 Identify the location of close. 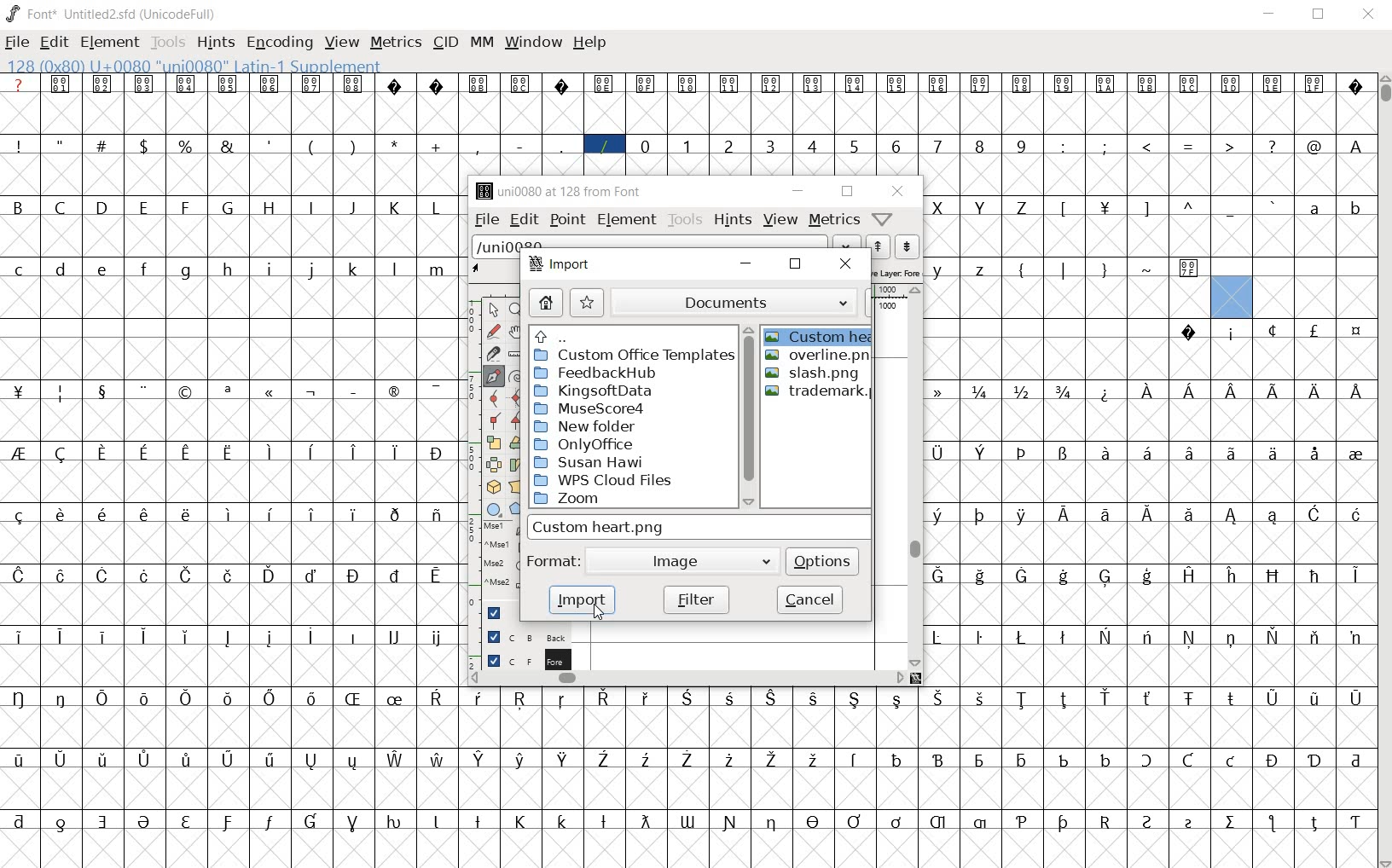
(796, 265).